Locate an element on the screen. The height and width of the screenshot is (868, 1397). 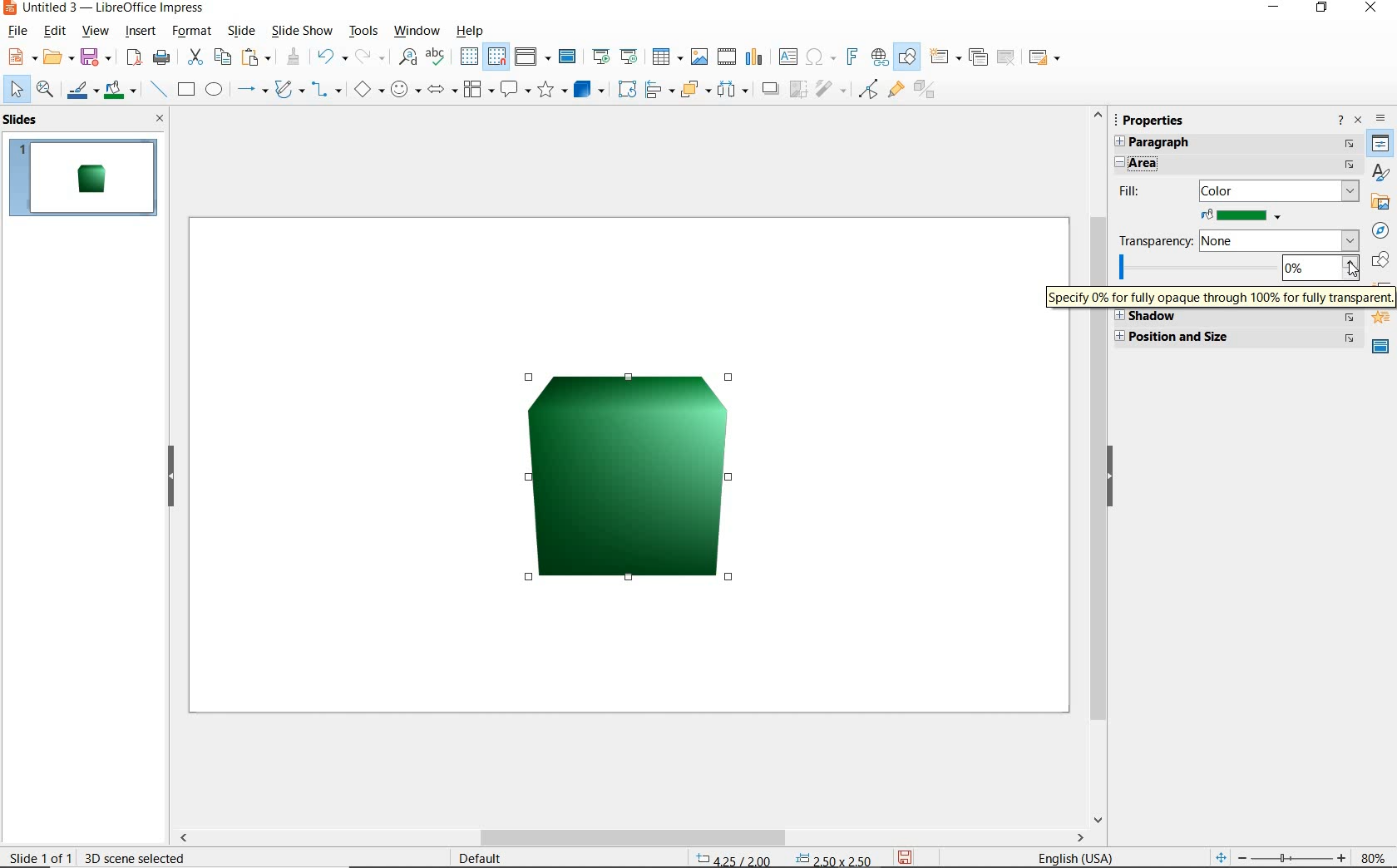
paste is located at coordinates (257, 57).